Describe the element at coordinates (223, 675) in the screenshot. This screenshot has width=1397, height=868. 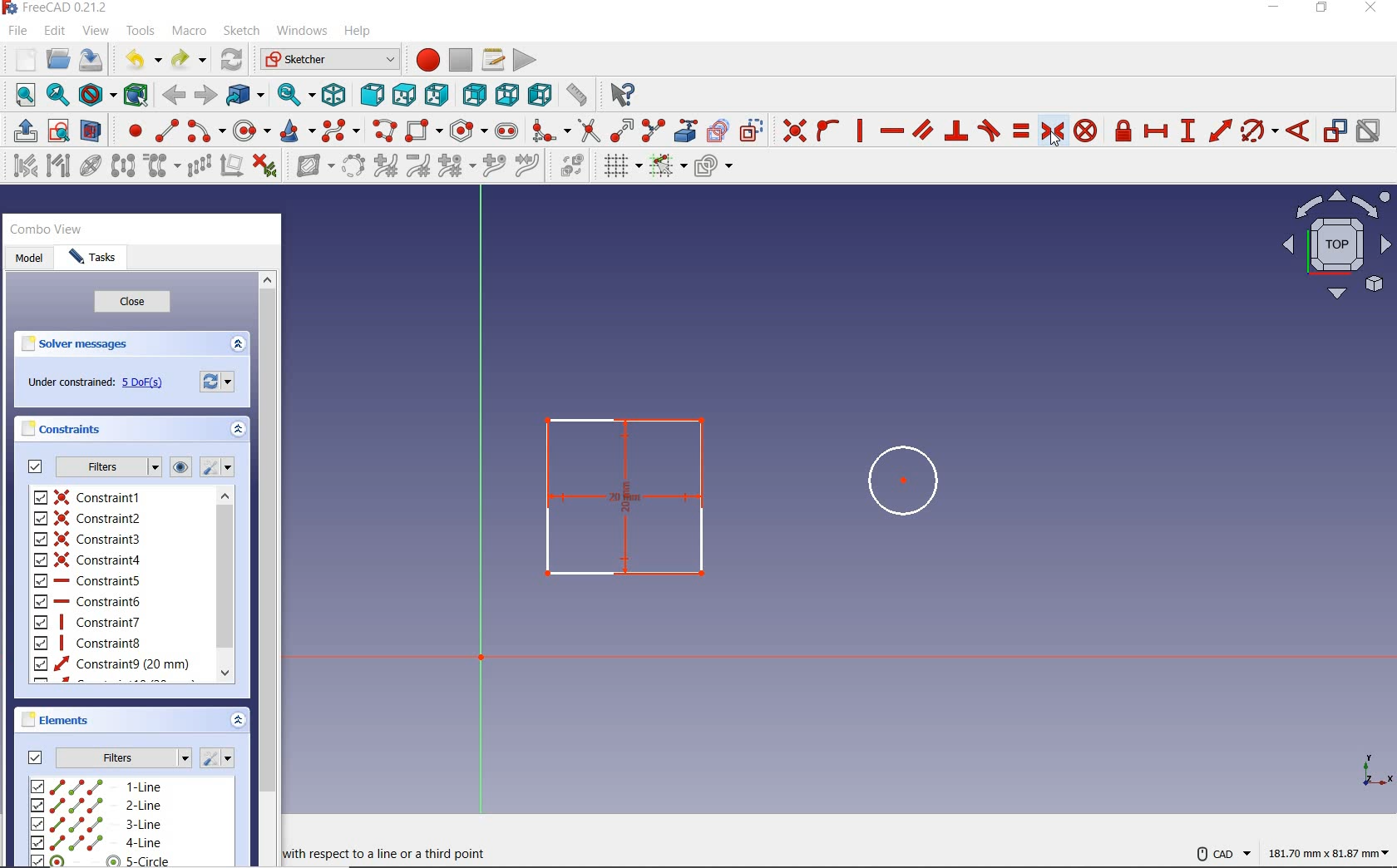
I see `Scroll down` at that location.